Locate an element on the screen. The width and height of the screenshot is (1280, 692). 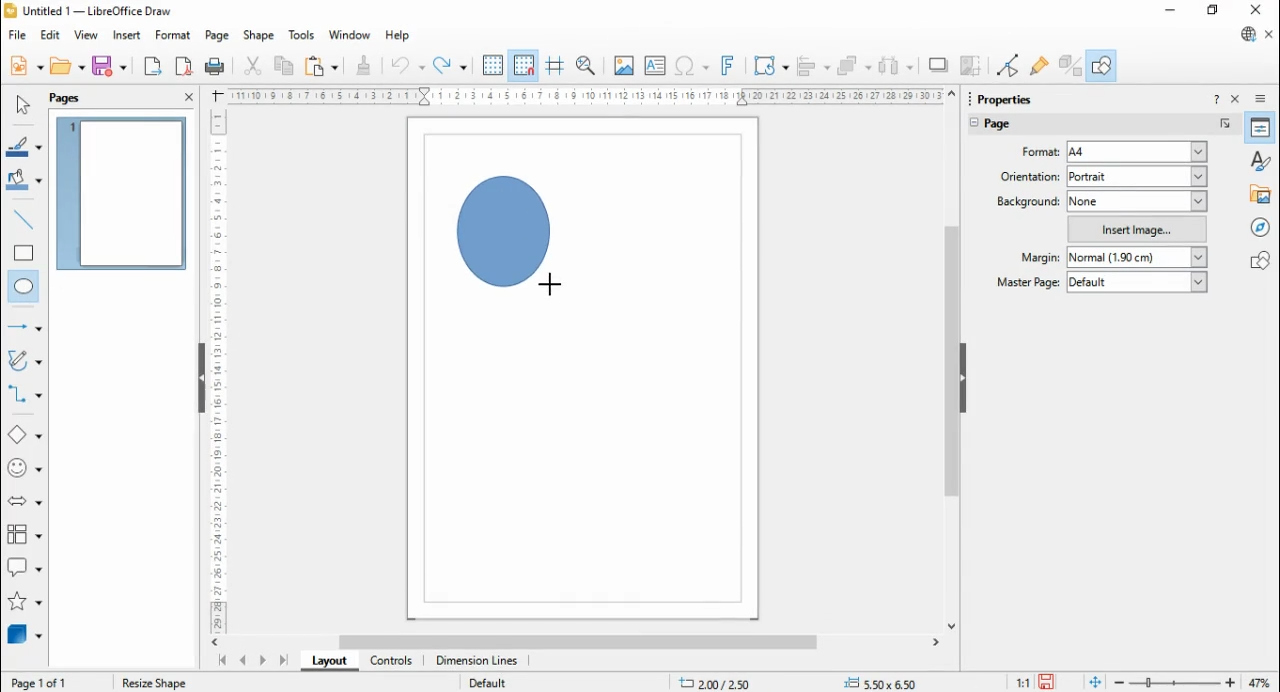
flowchart is located at coordinates (25, 538).